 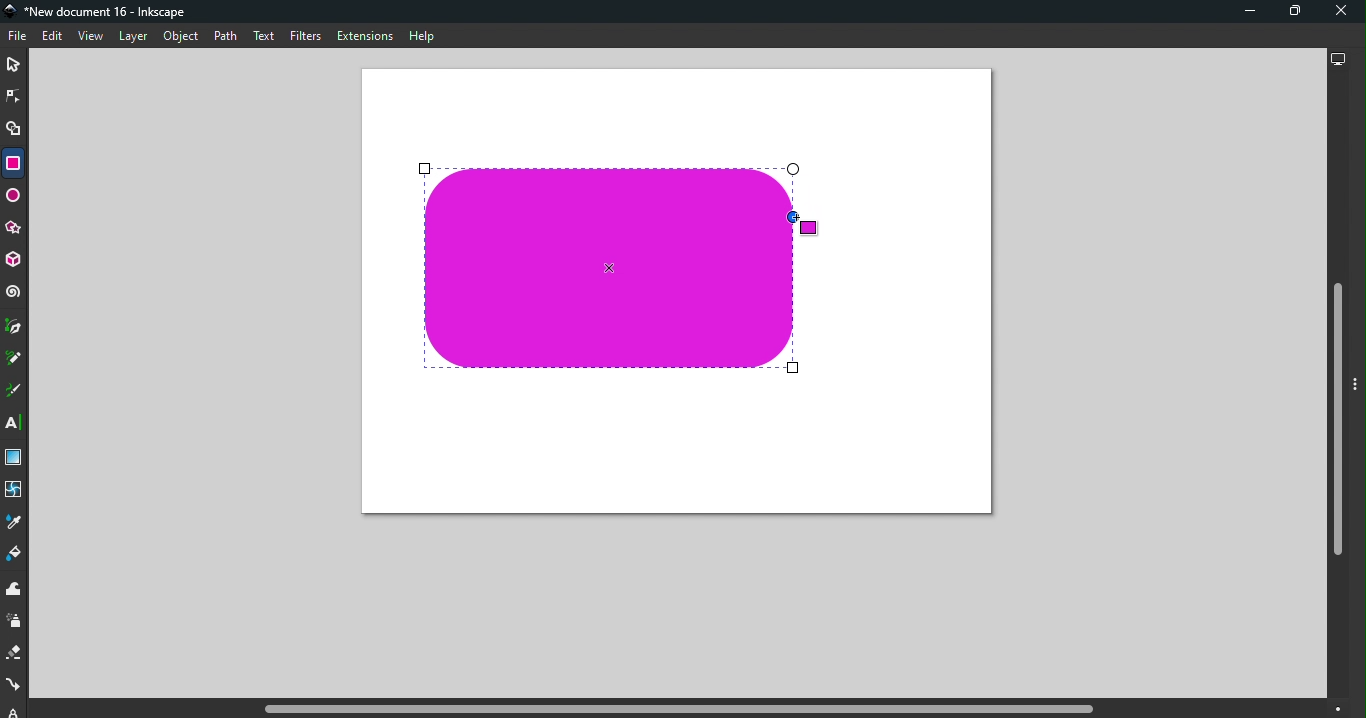 I want to click on Eraser tool, so click(x=16, y=653).